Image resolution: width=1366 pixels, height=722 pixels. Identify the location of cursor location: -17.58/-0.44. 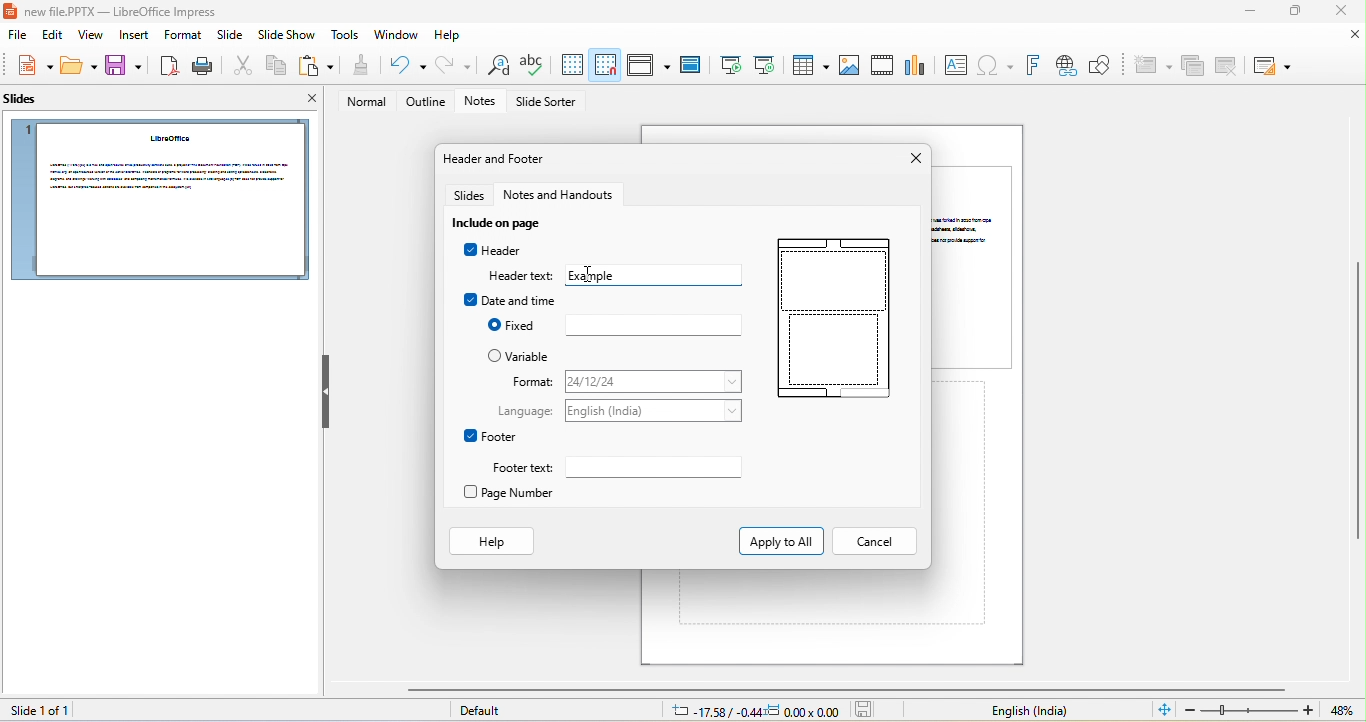
(713, 711).